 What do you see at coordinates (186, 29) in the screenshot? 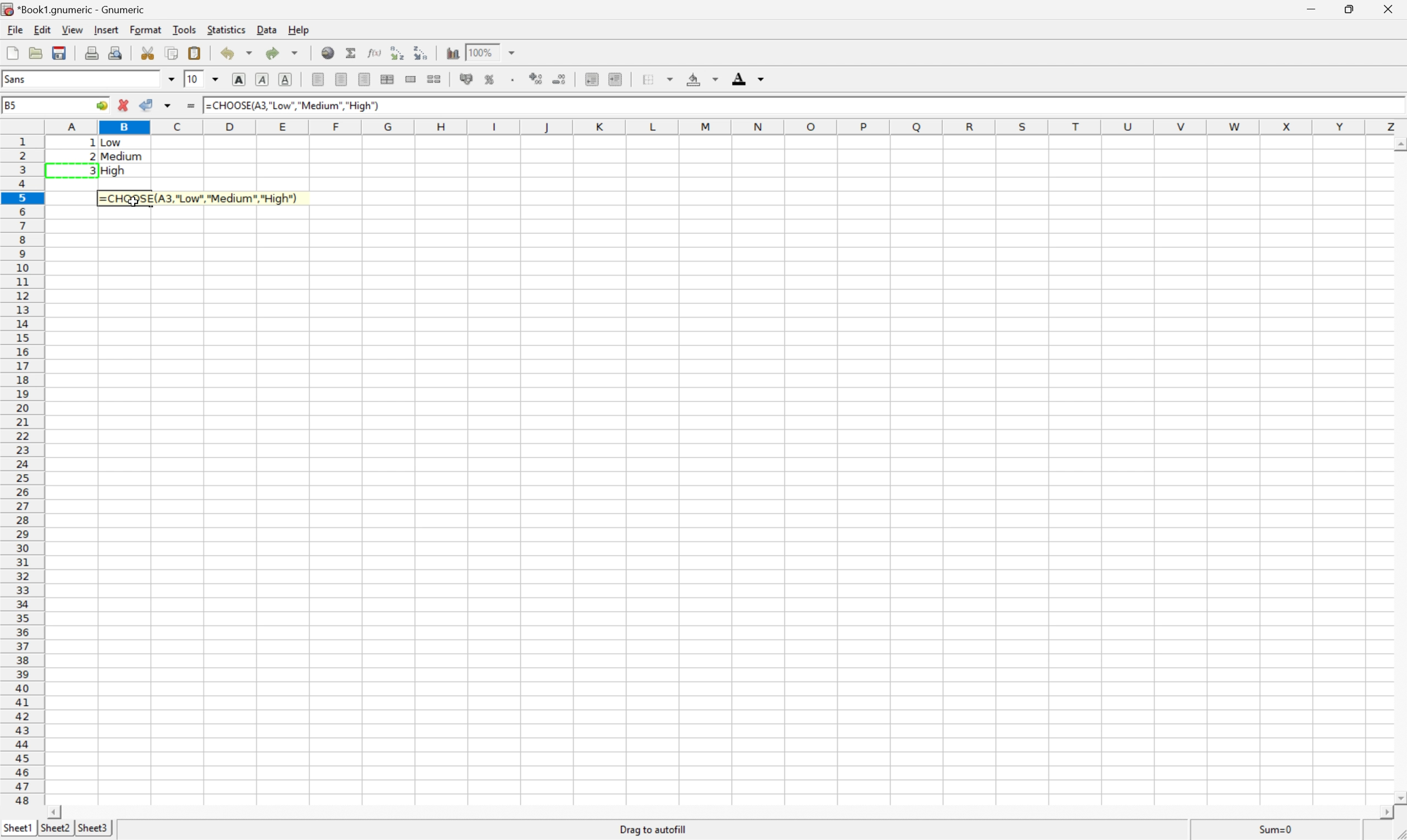
I see `Tools` at bounding box center [186, 29].